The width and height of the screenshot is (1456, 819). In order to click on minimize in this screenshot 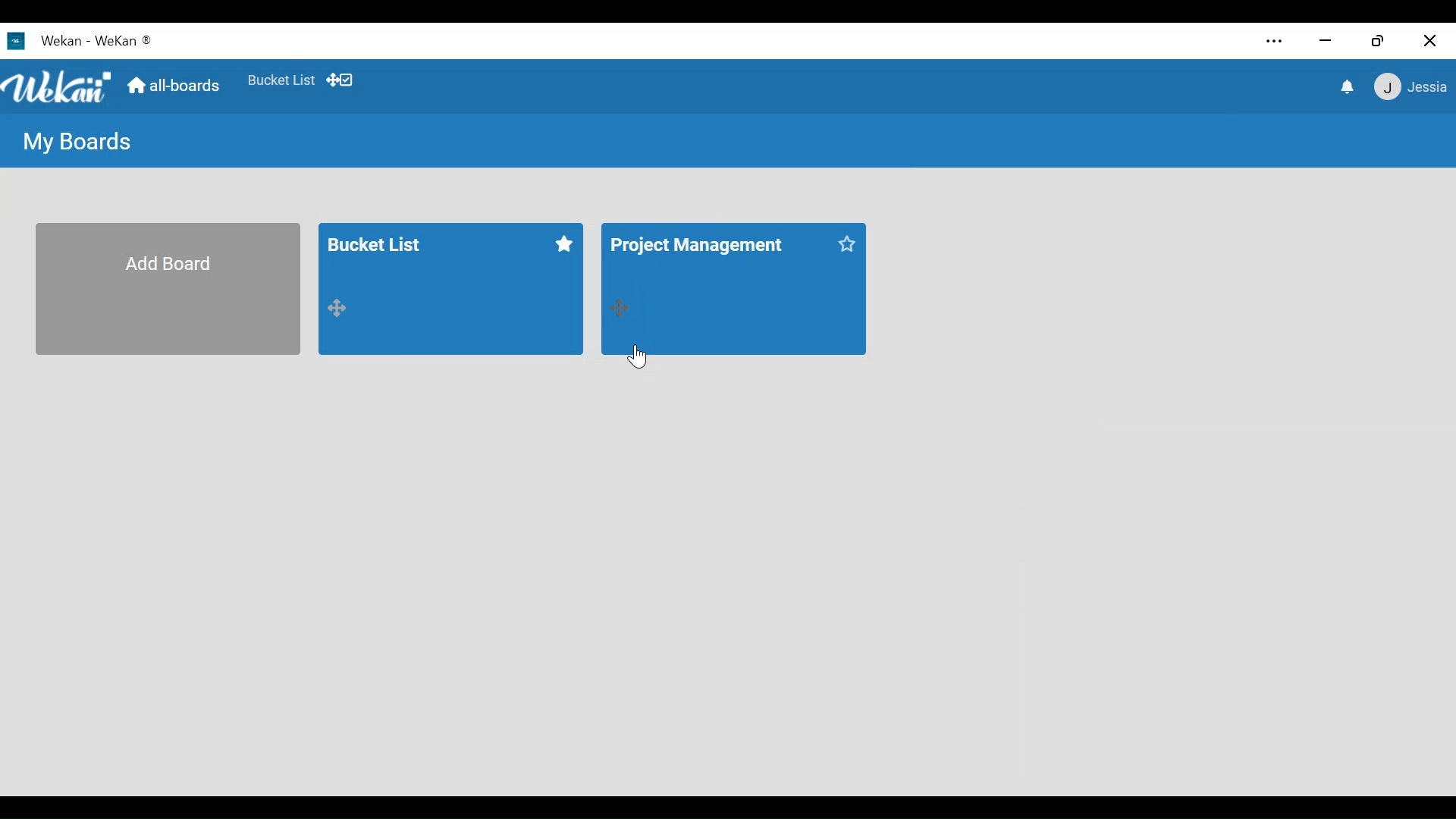, I will do `click(1325, 36)`.